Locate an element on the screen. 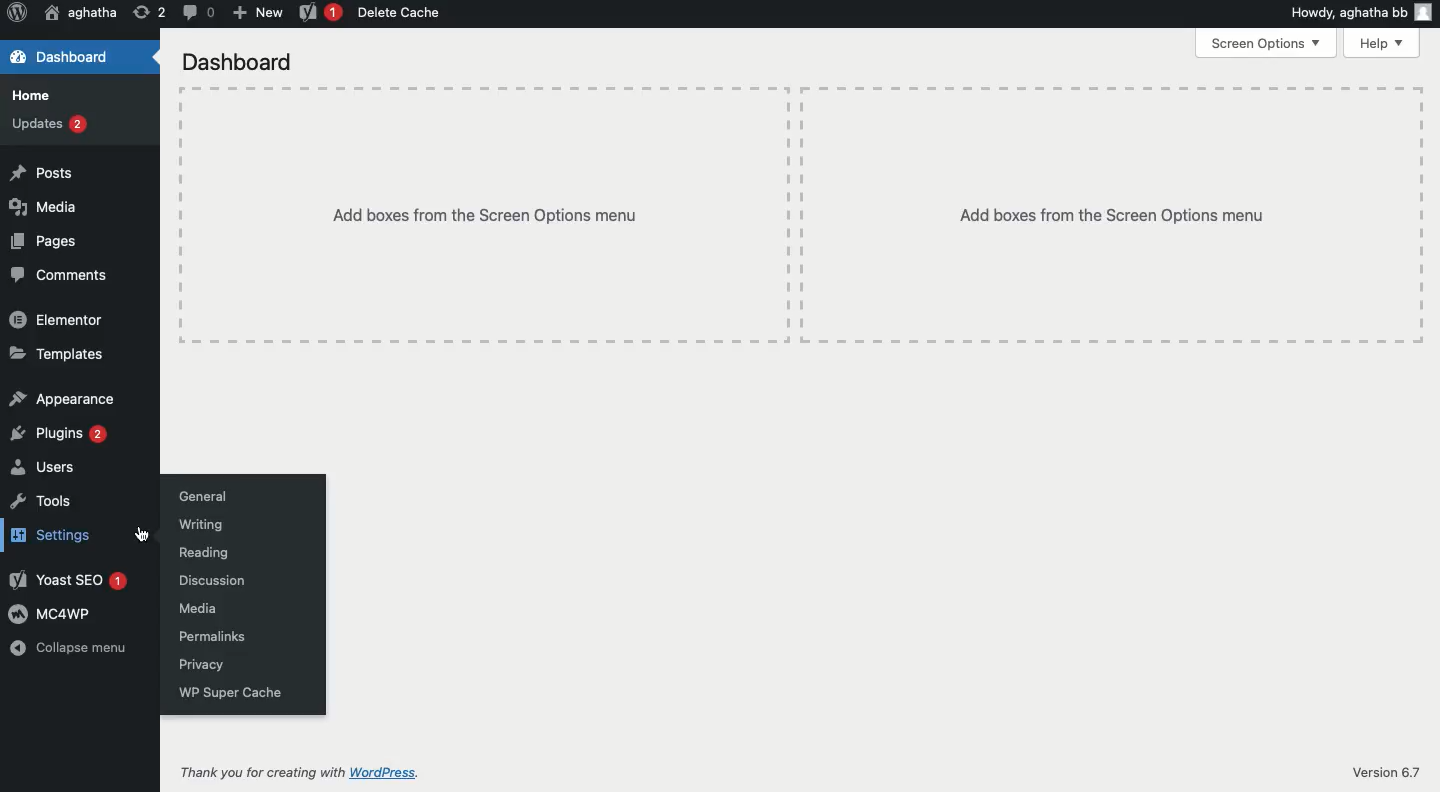 This screenshot has width=1440, height=792. Templates is located at coordinates (53, 354).